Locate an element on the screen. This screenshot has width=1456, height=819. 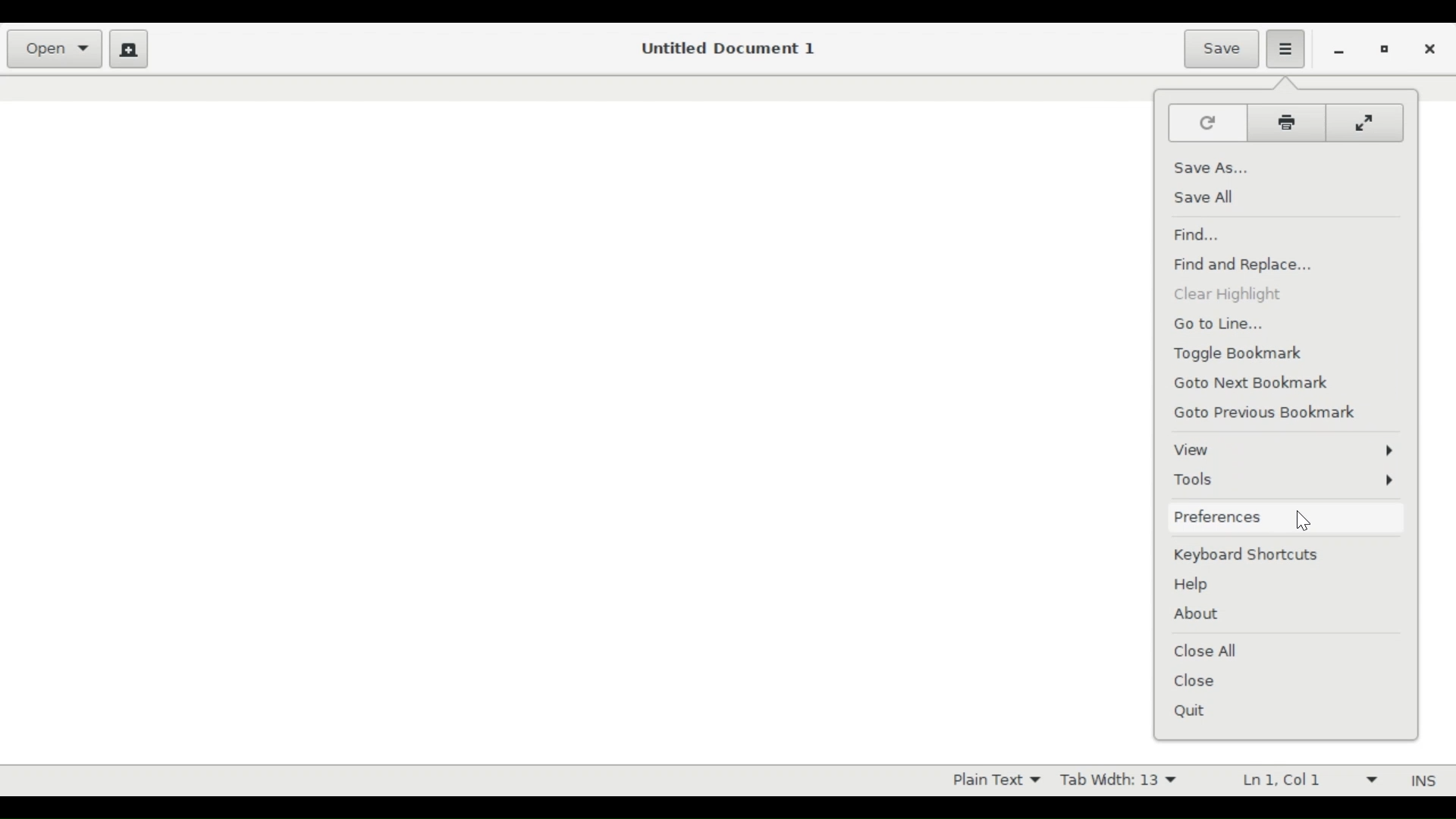
View is located at coordinates (1282, 449).